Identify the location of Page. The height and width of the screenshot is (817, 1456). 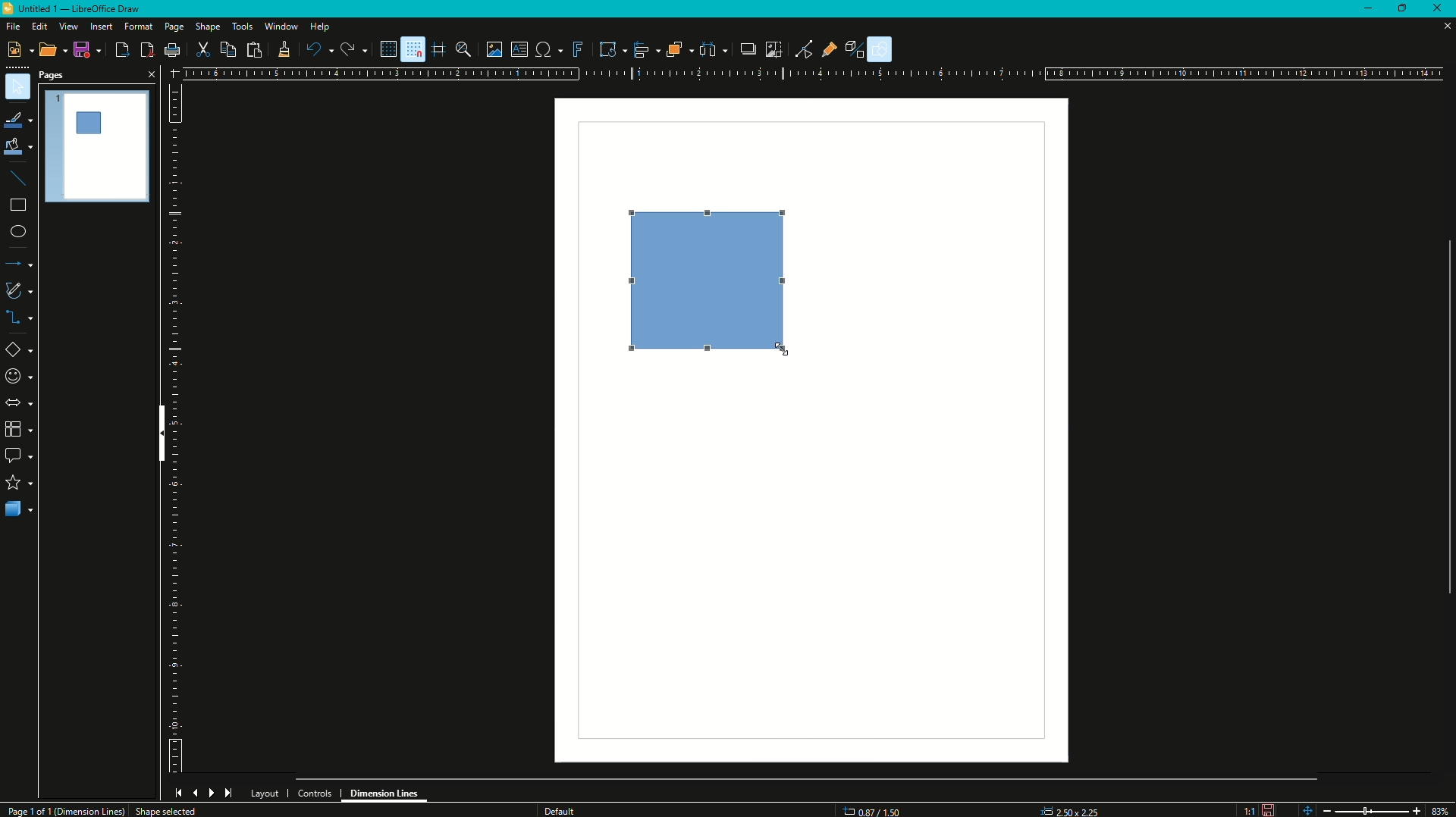
(173, 28).